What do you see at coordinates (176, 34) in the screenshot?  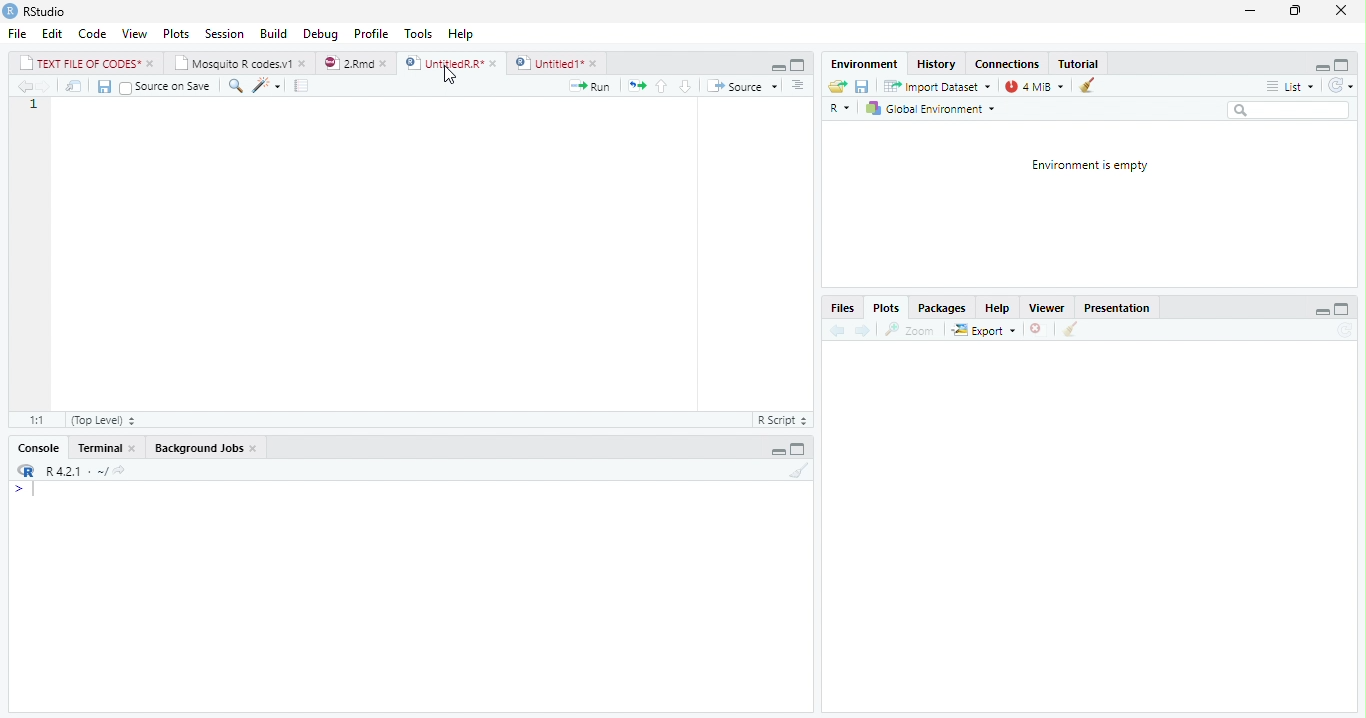 I see `Plots` at bounding box center [176, 34].